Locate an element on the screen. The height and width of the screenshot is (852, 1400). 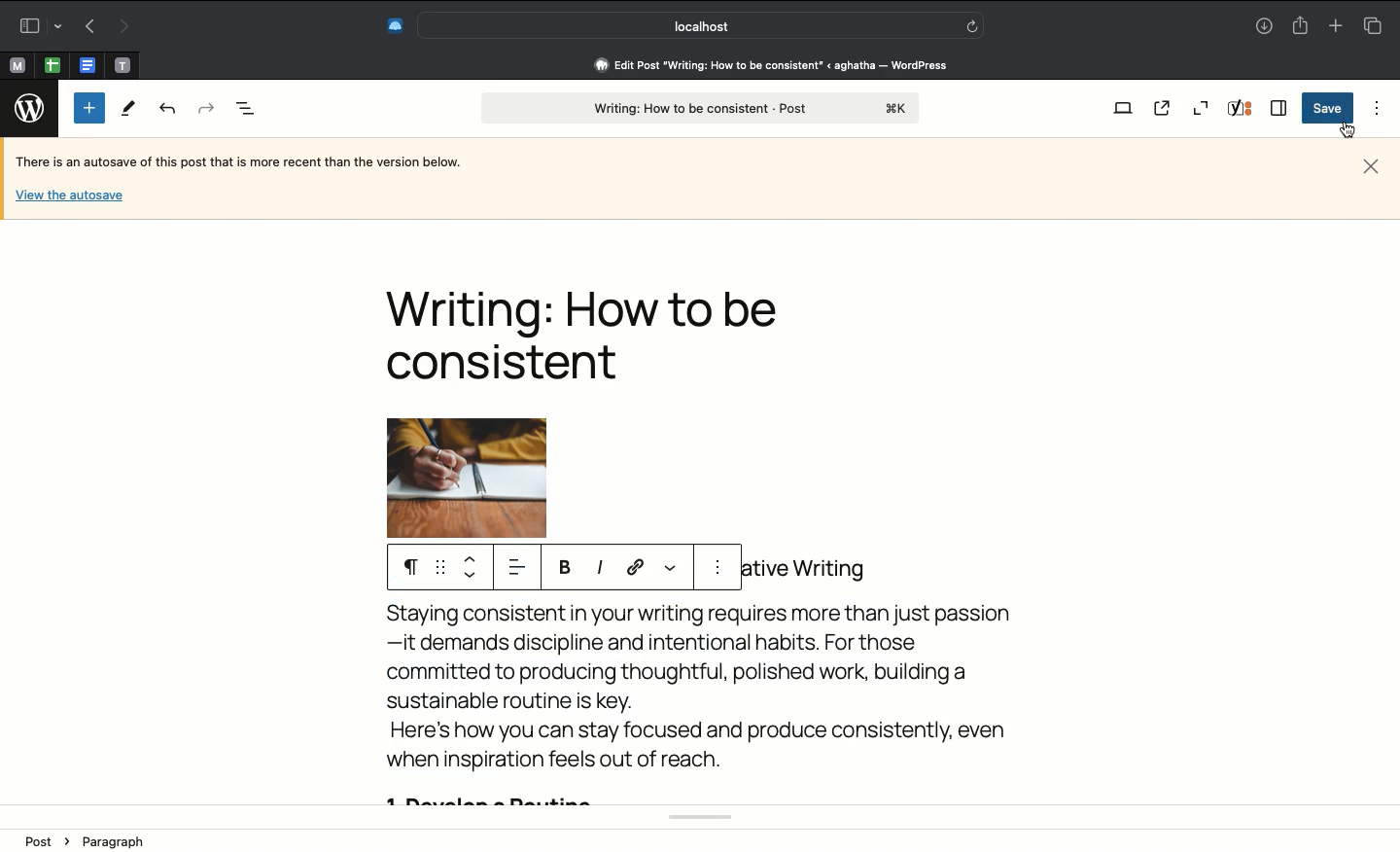
View post is located at coordinates (1166, 109).